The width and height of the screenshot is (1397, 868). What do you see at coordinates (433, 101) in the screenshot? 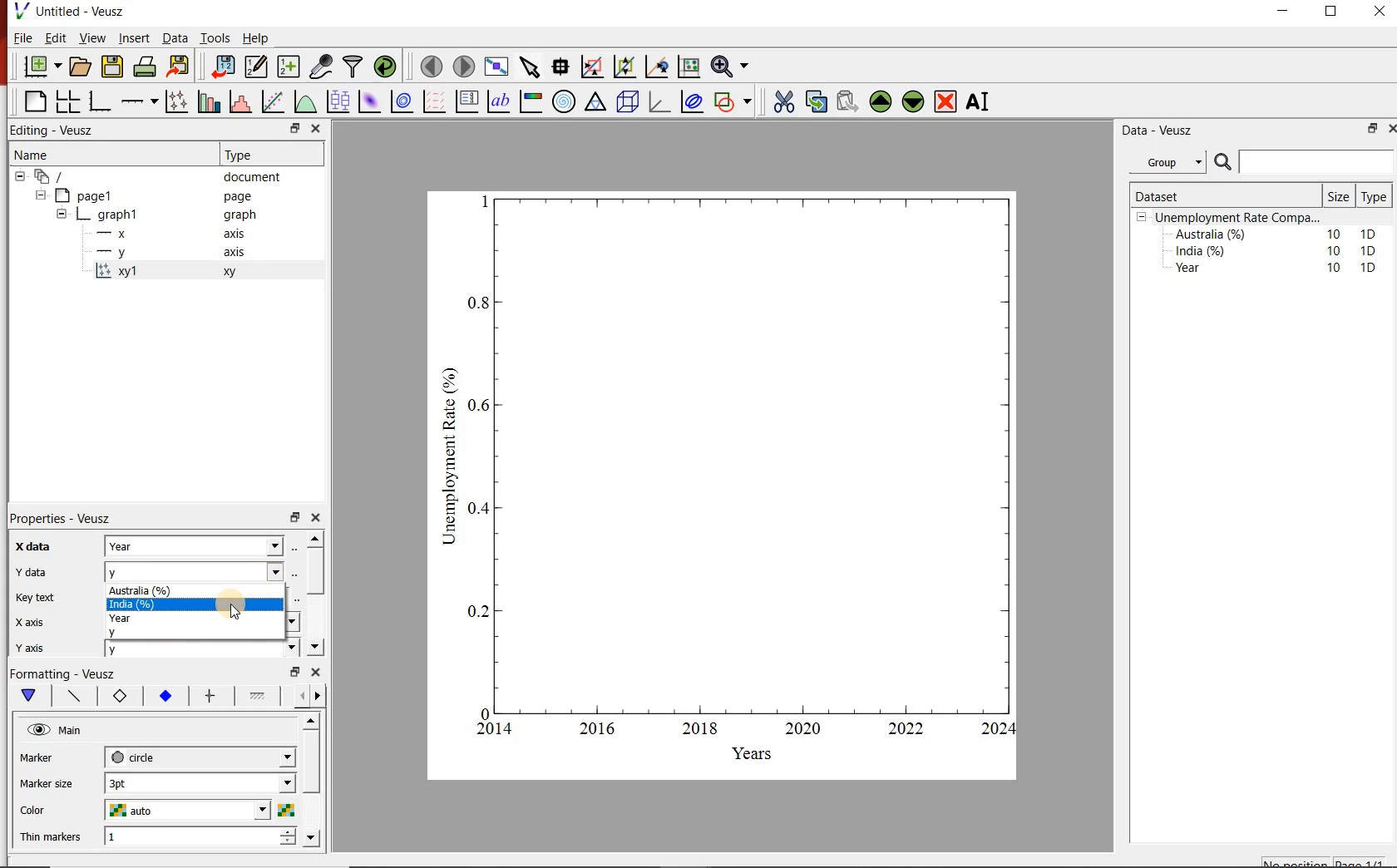
I see `plot vector field` at bounding box center [433, 101].